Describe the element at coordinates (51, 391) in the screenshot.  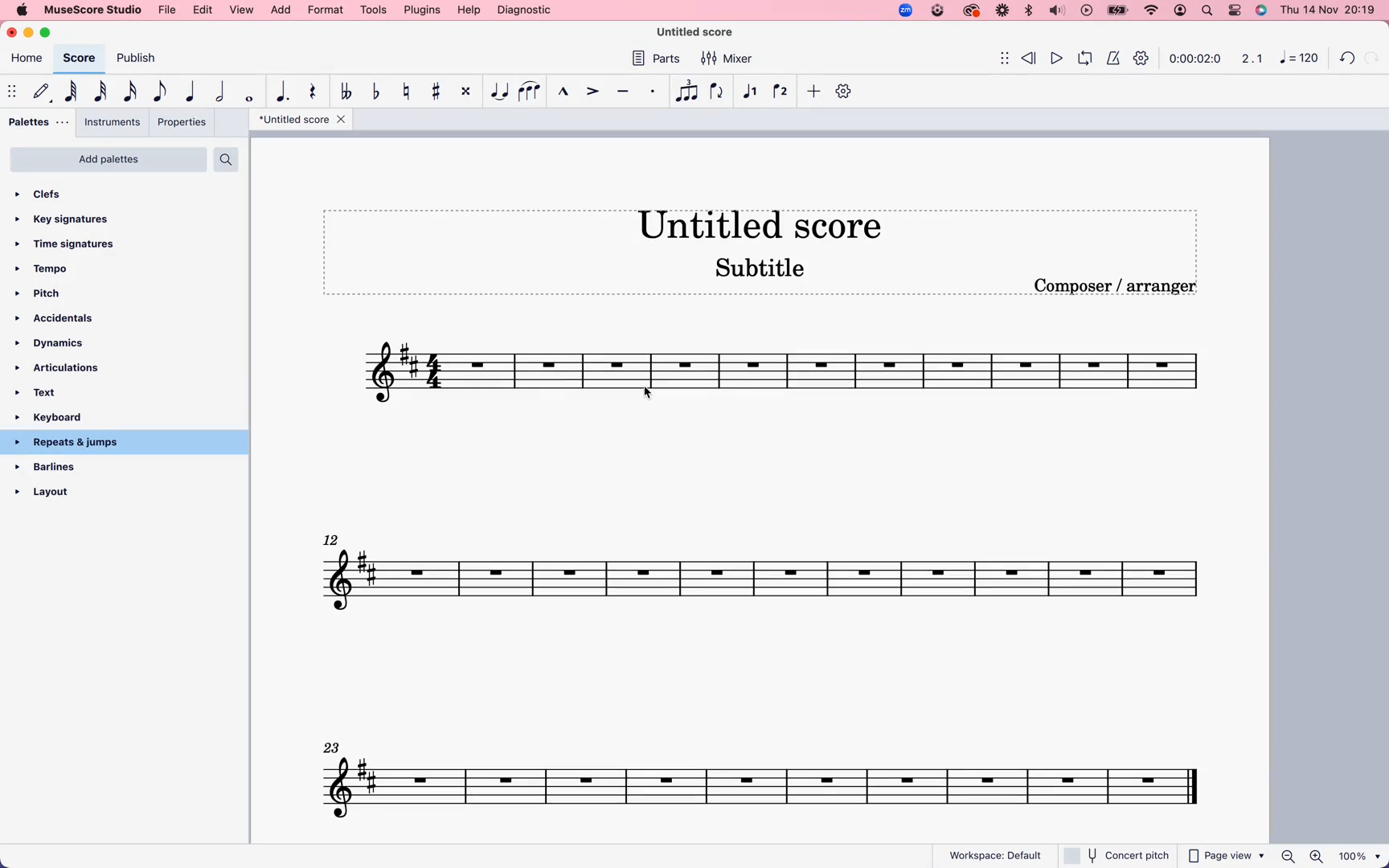
I see `text` at that location.